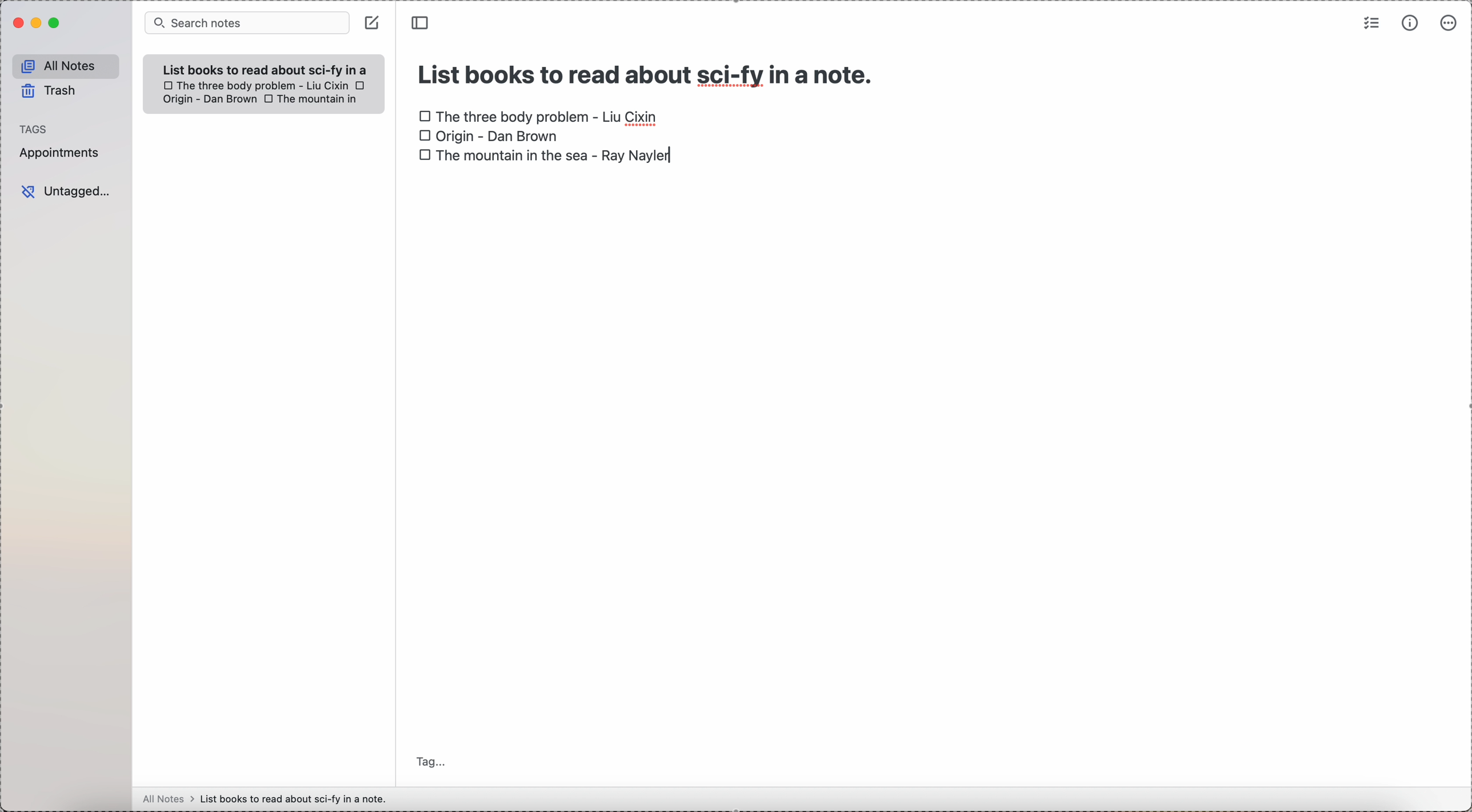 This screenshot has width=1472, height=812. Describe the element at coordinates (16, 23) in the screenshot. I see `close Simplenote` at that location.